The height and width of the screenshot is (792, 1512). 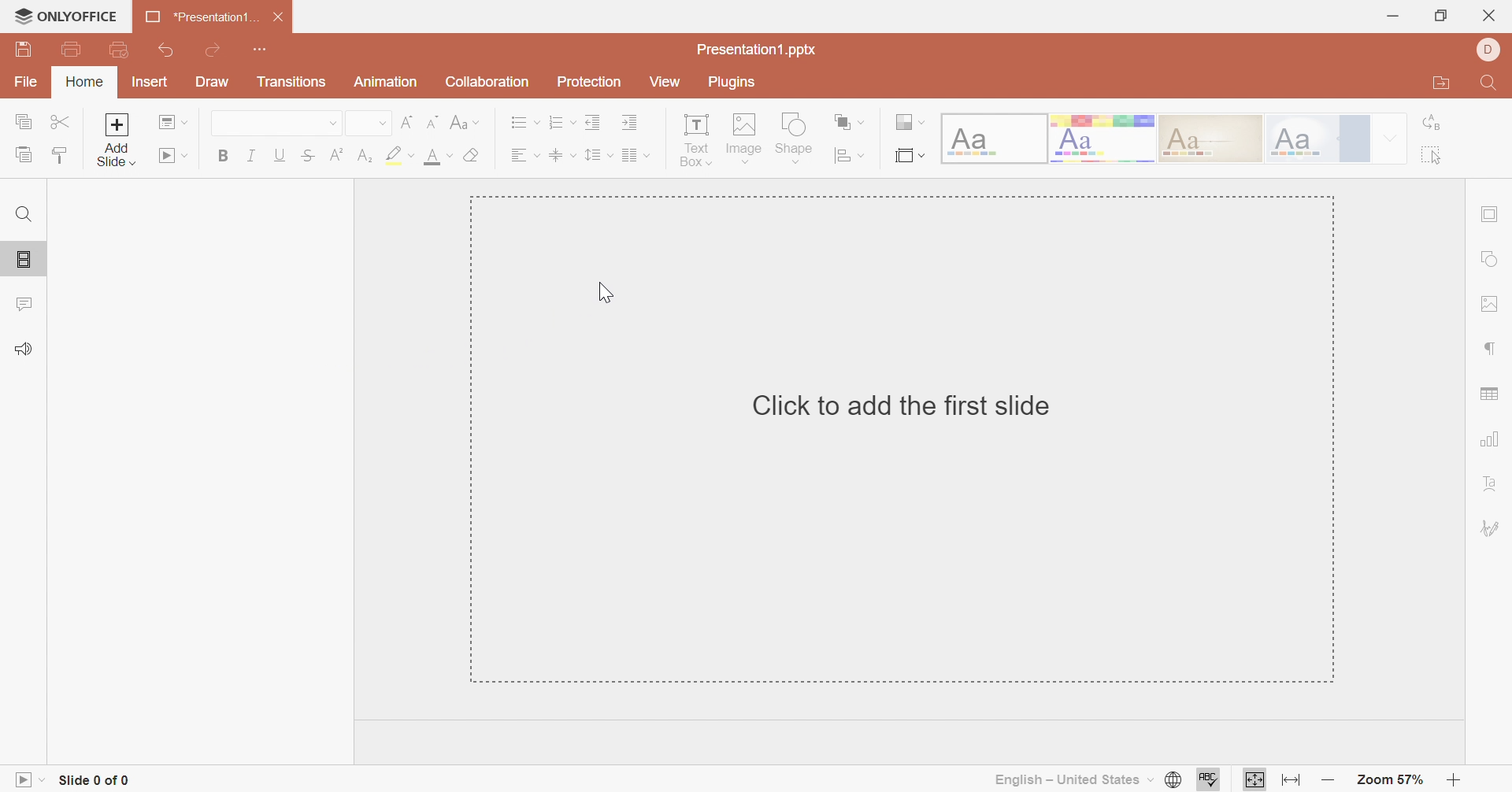 I want to click on Quick Print, so click(x=119, y=48).